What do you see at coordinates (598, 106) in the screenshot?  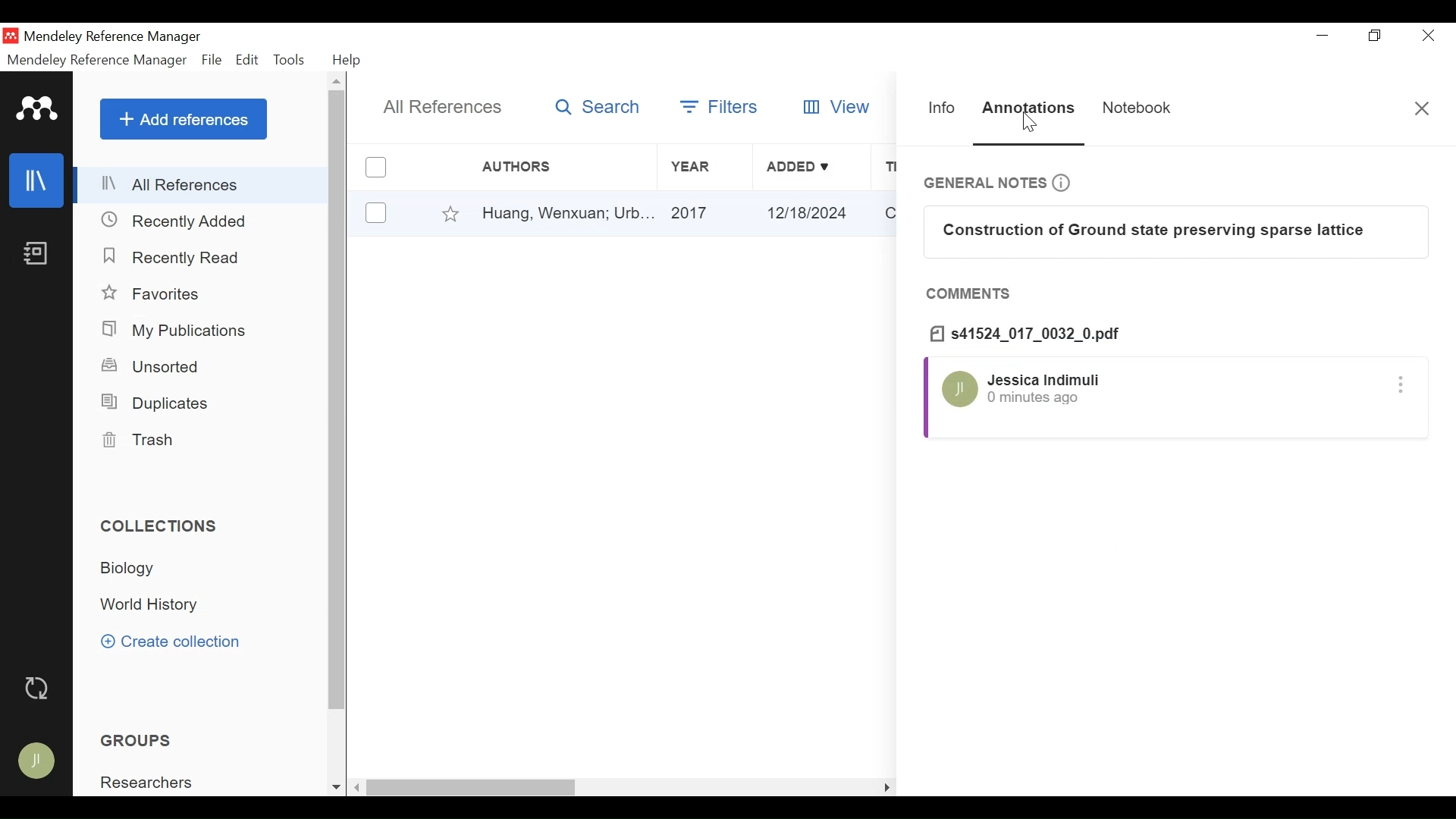 I see `Search` at bounding box center [598, 106].